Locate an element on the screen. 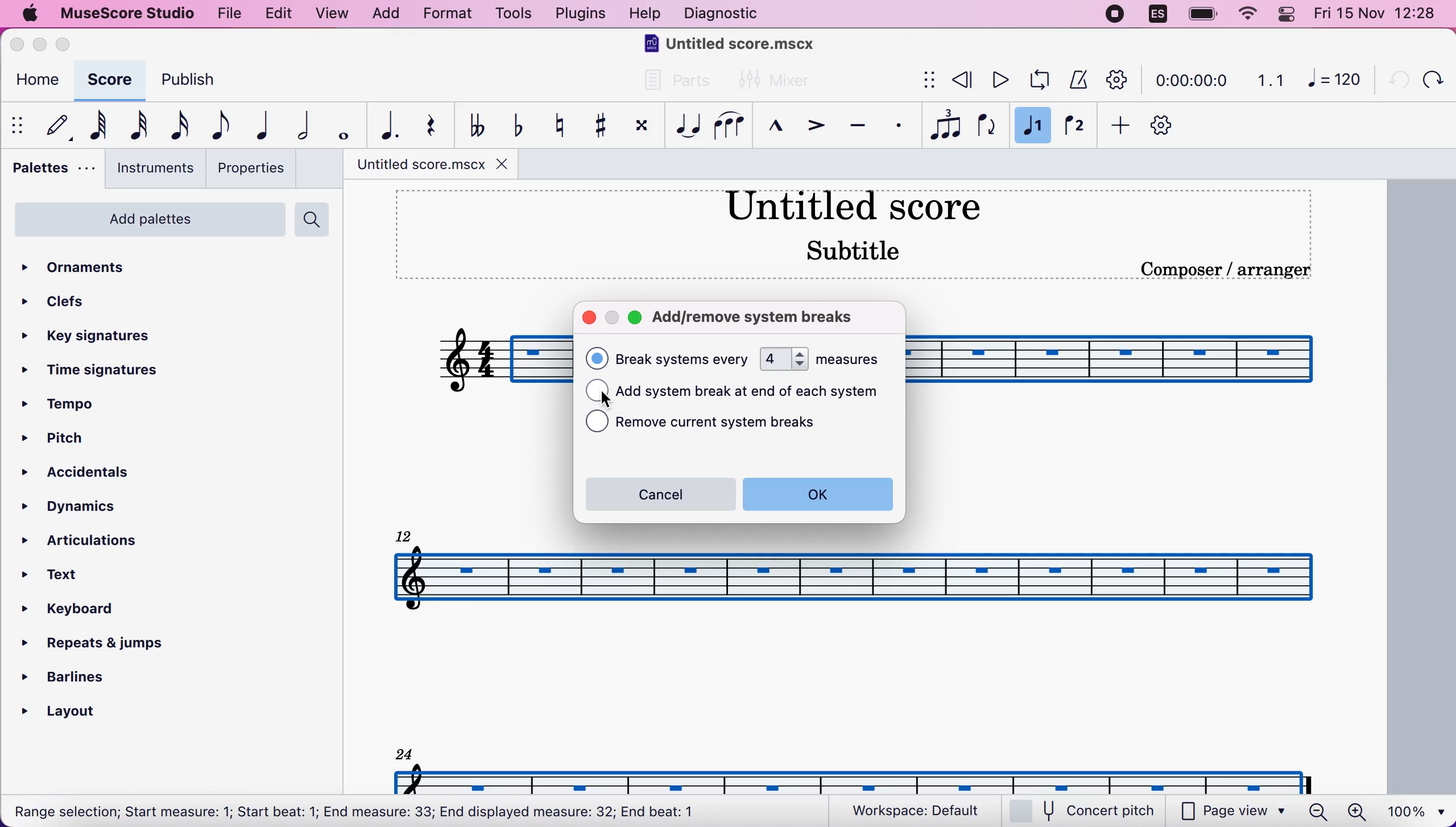  ornaments is located at coordinates (93, 268).